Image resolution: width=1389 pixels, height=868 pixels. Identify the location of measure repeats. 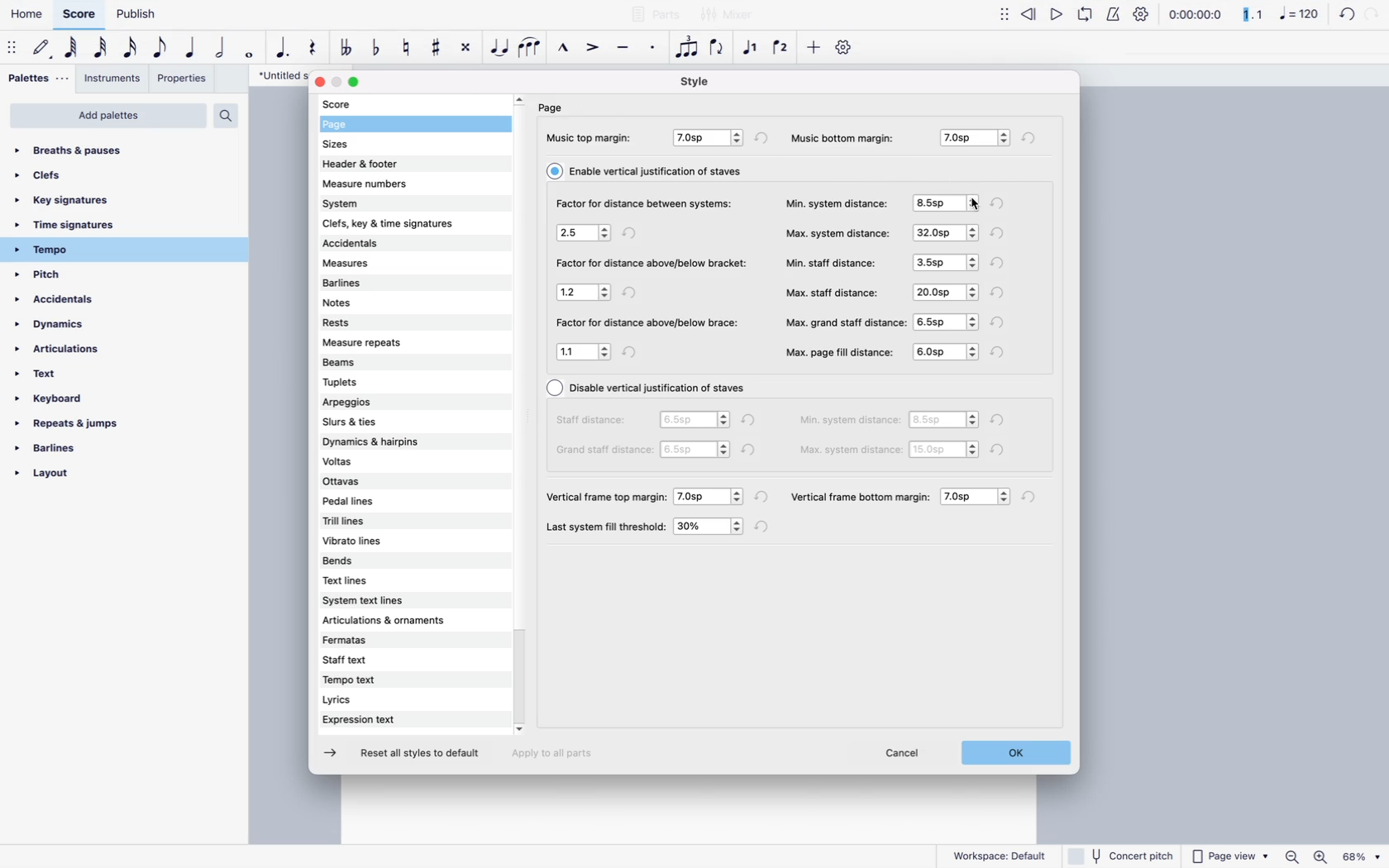
(376, 343).